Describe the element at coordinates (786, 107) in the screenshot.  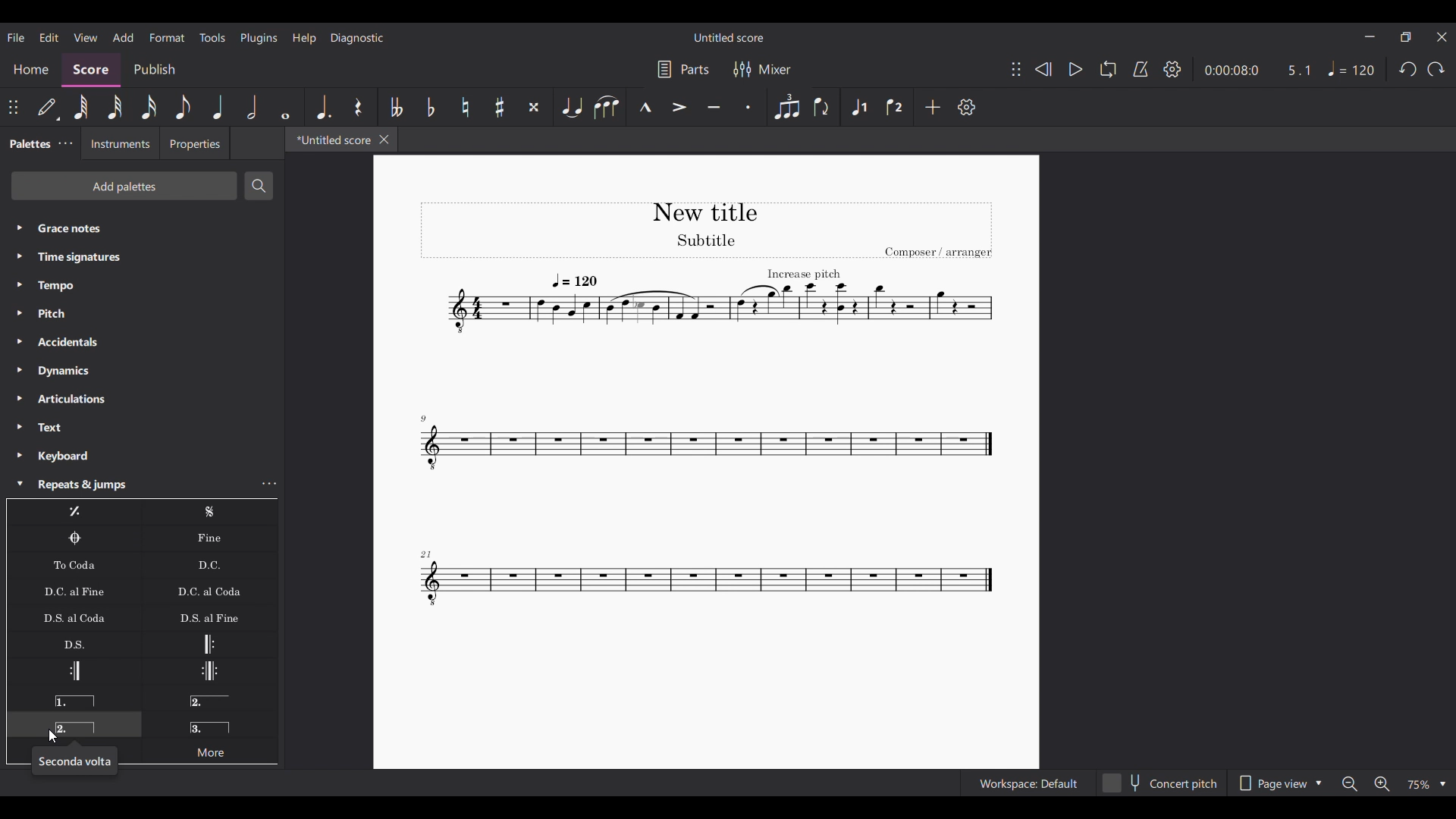
I see `Tuplet` at that location.